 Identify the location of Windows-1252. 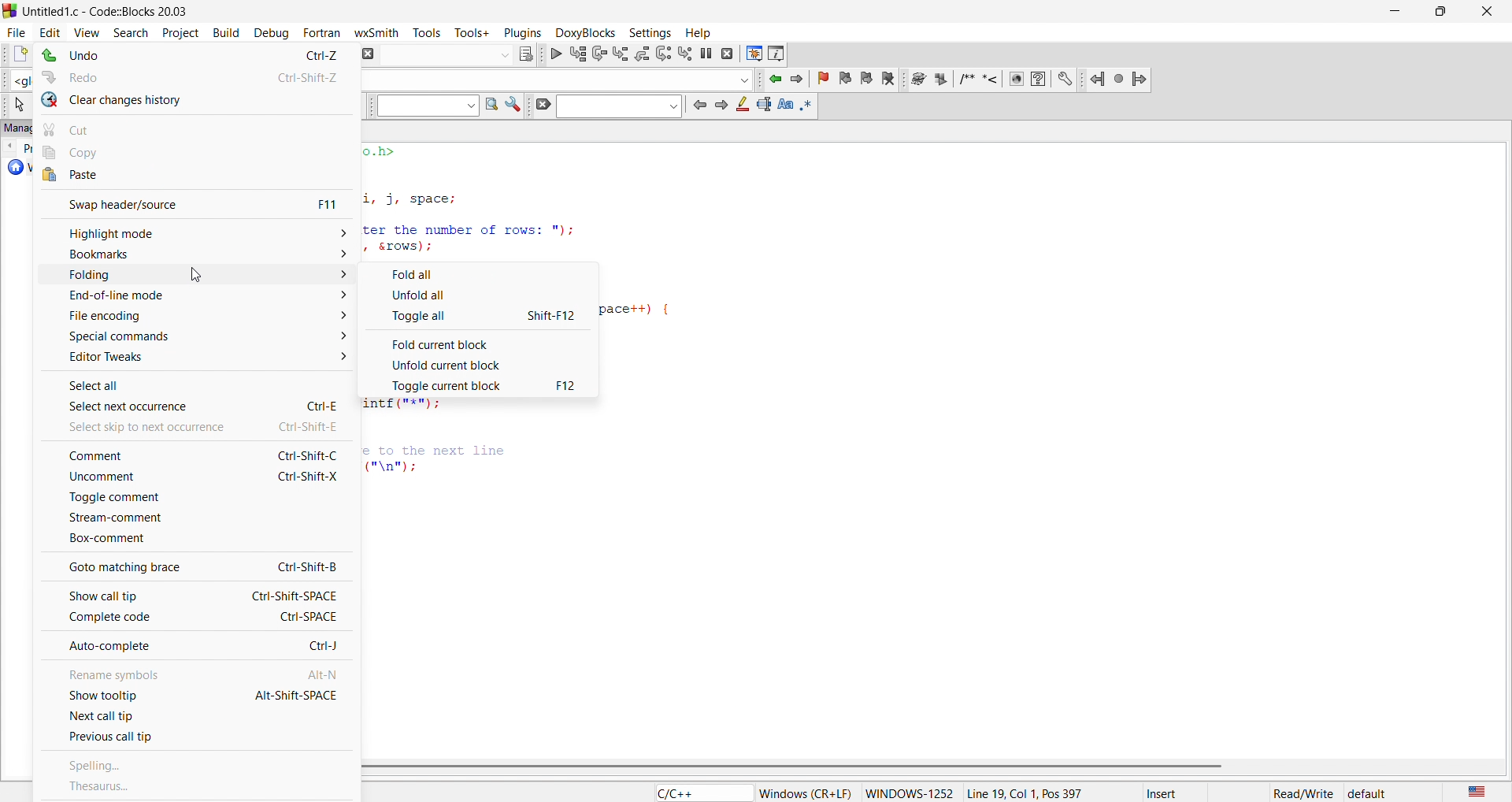
(910, 793).